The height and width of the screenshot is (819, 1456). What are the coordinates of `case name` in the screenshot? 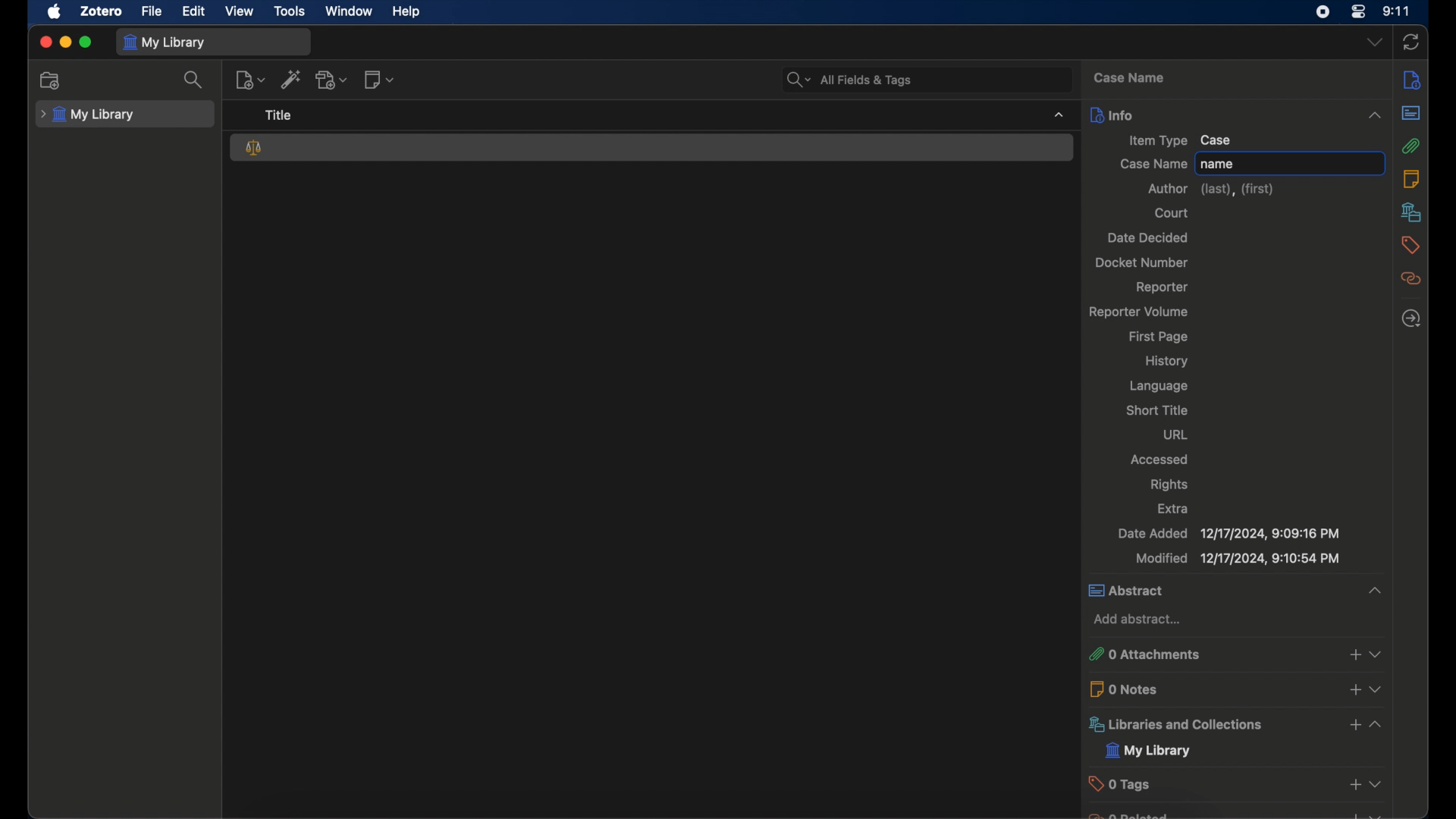 It's located at (1130, 77).